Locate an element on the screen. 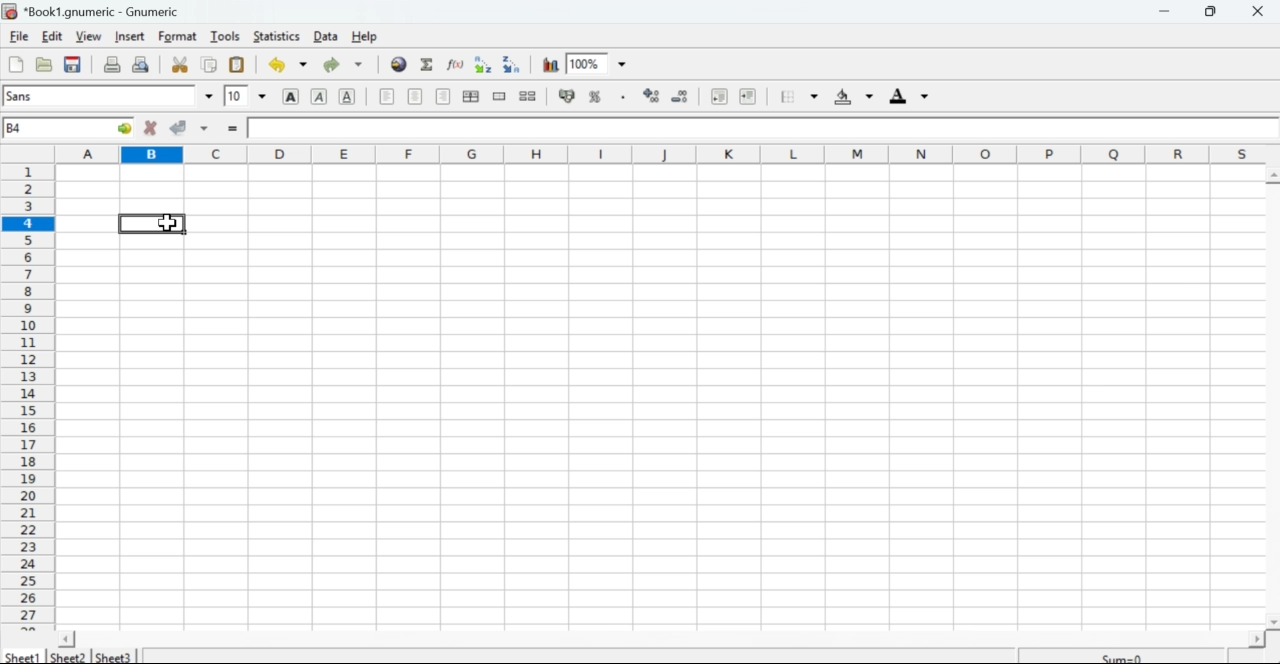 The height and width of the screenshot is (664, 1280). *Book1.gnumeric - Gnumeric is located at coordinates (107, 11).